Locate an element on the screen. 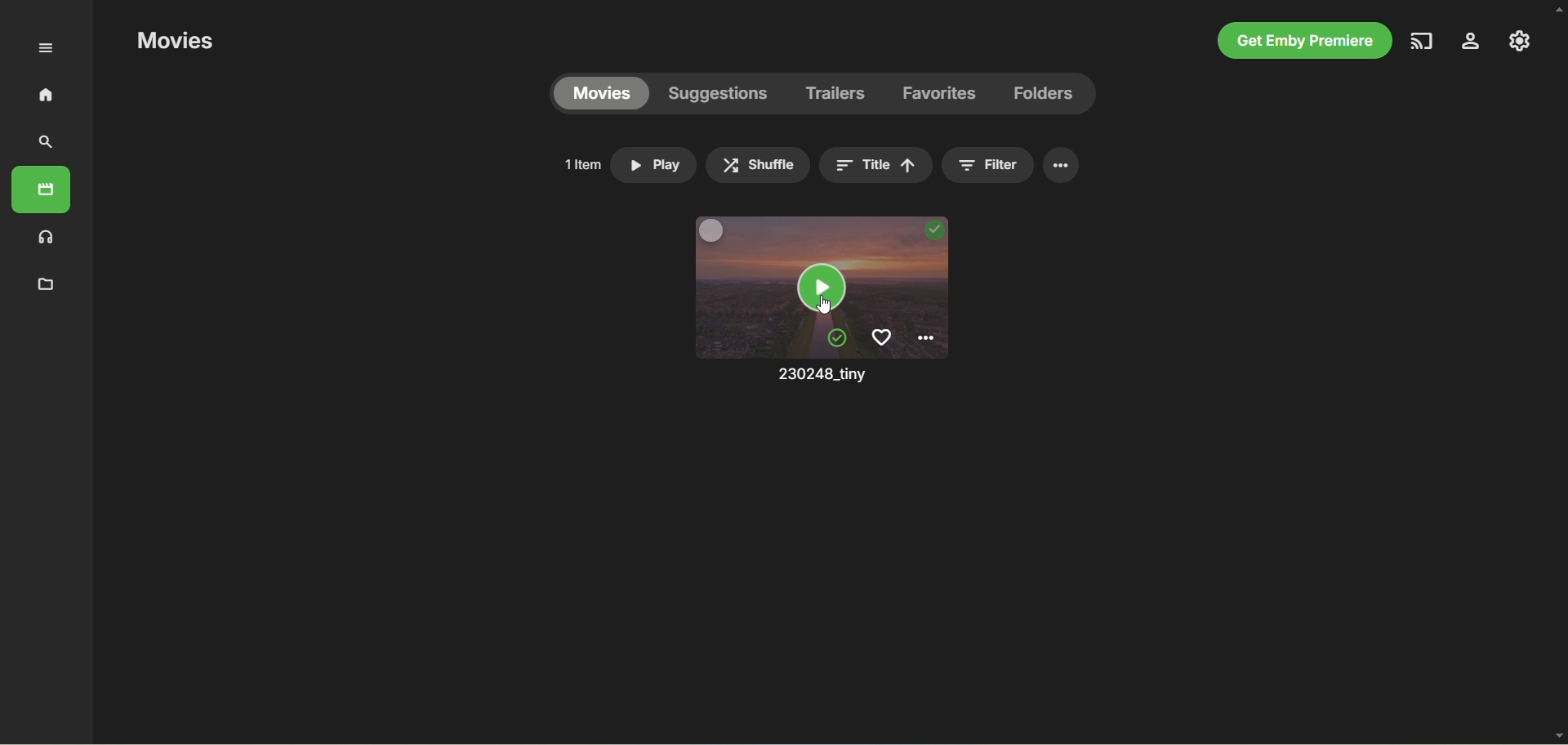 Image resolution: width=1568 pixels, height=745 pixels. music is located at coordinates (47, 237).